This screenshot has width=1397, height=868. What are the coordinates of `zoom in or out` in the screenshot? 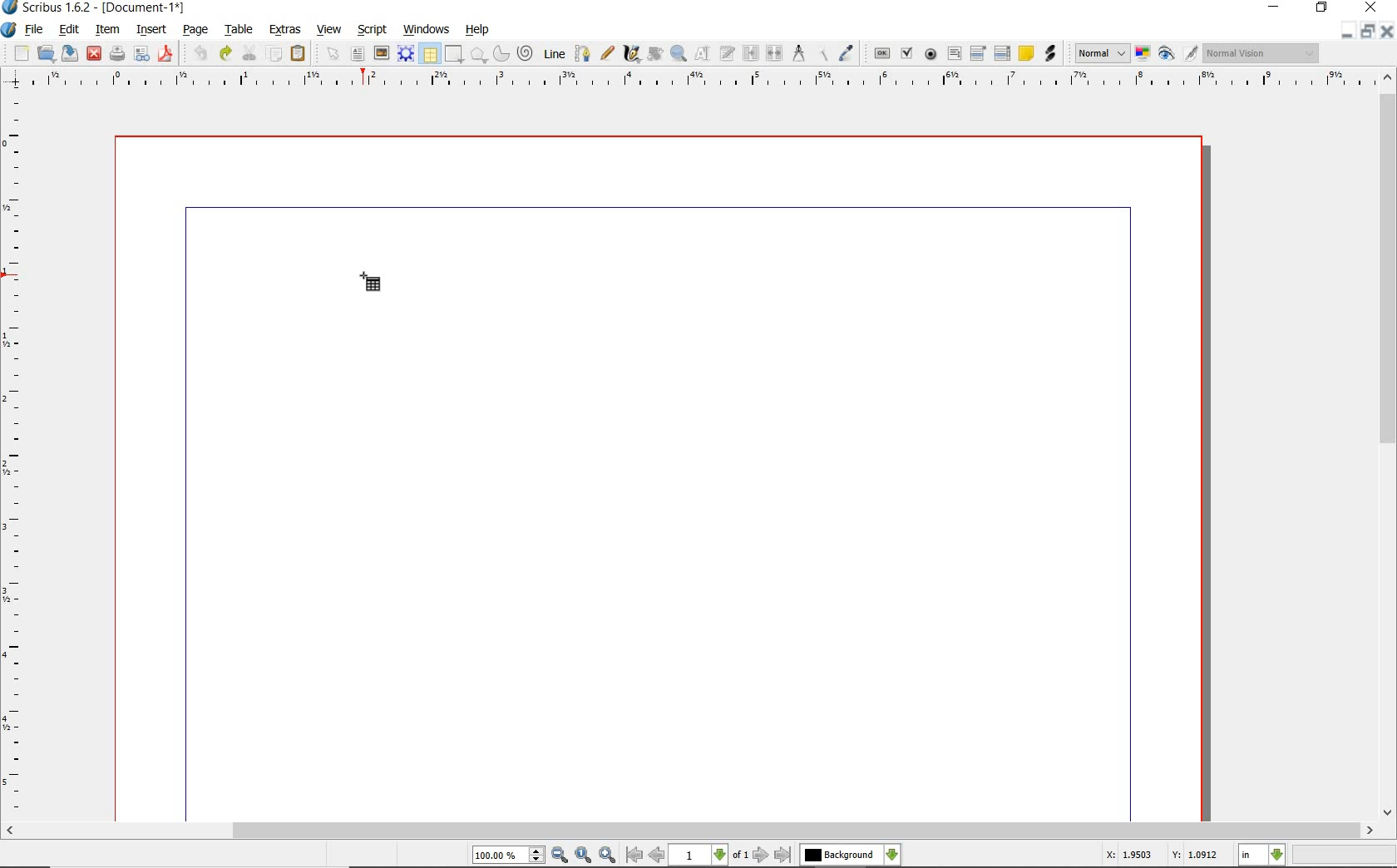 It's located at (678, 54).